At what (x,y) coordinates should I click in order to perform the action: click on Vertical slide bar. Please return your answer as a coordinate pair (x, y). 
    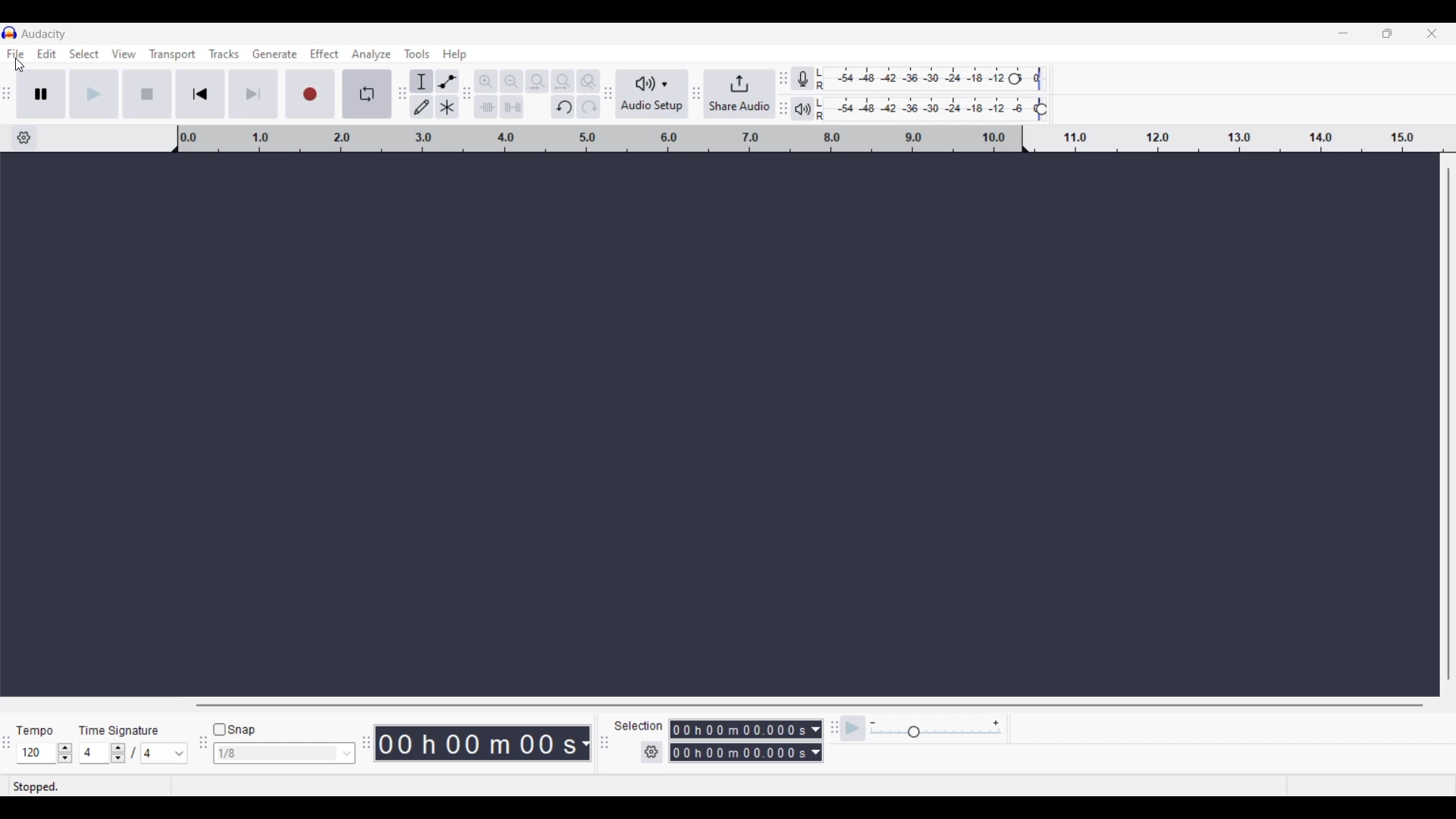
    Looking at the image, I should click on (1449, 425).